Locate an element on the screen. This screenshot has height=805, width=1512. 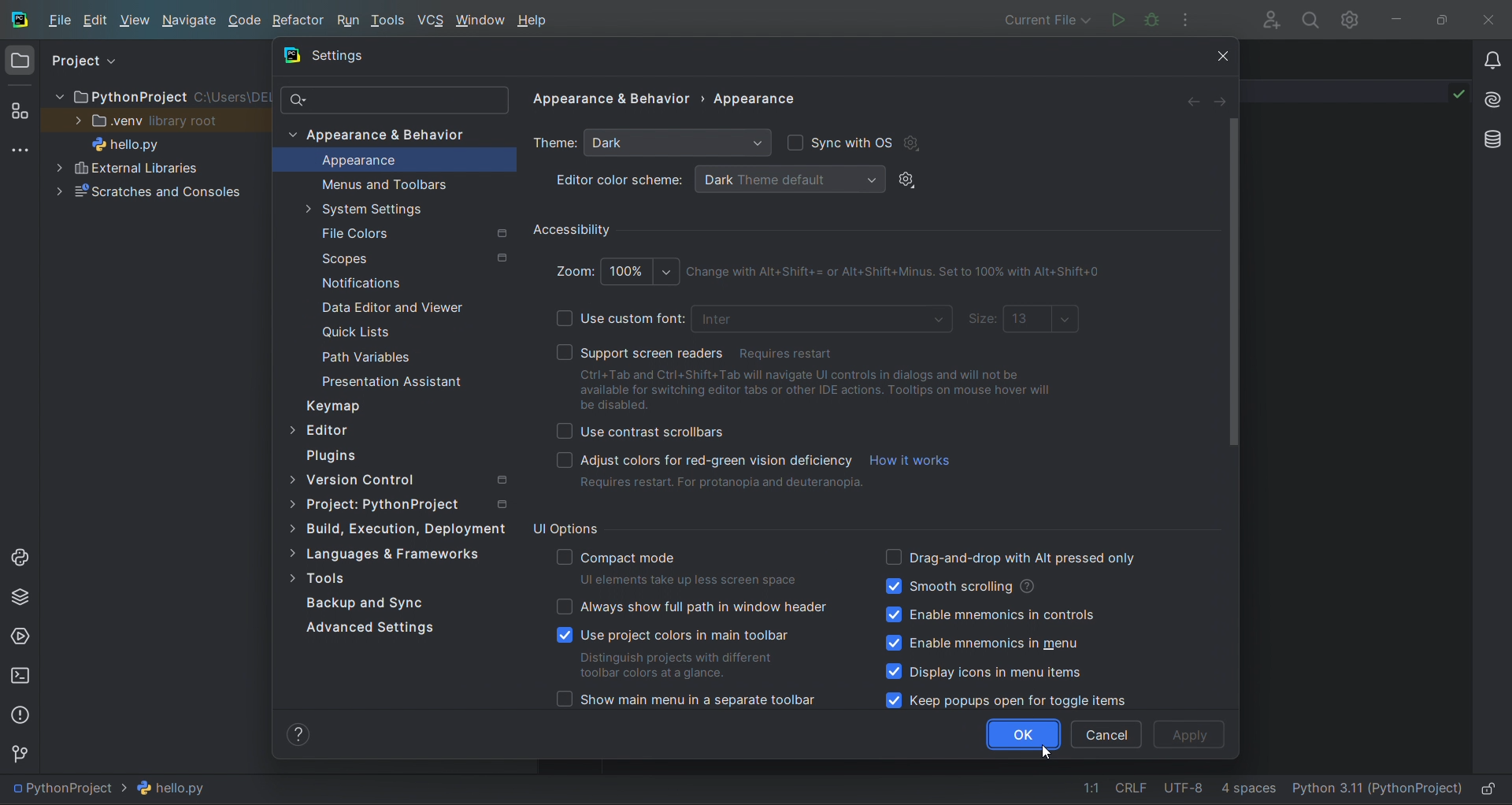
Shortcut description is located at coordinates (894, 271).